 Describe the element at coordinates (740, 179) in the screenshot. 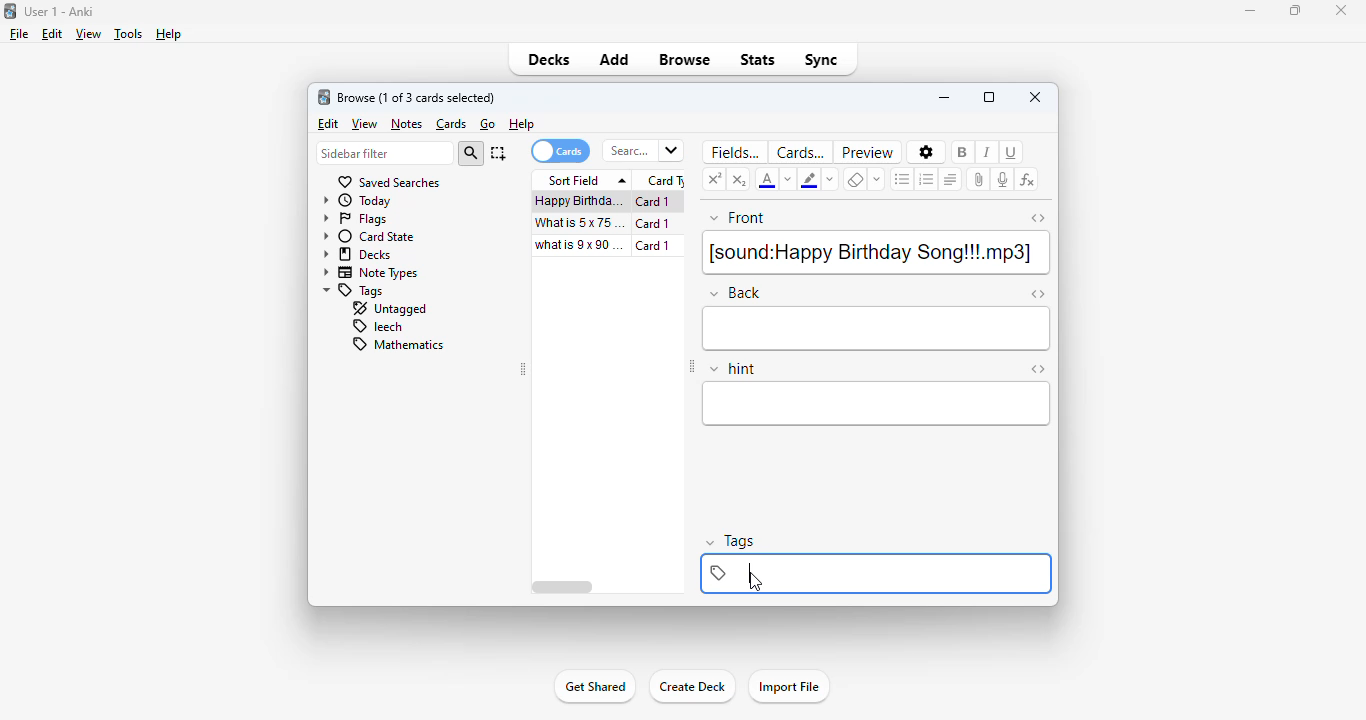

I see `subscript` at that location.